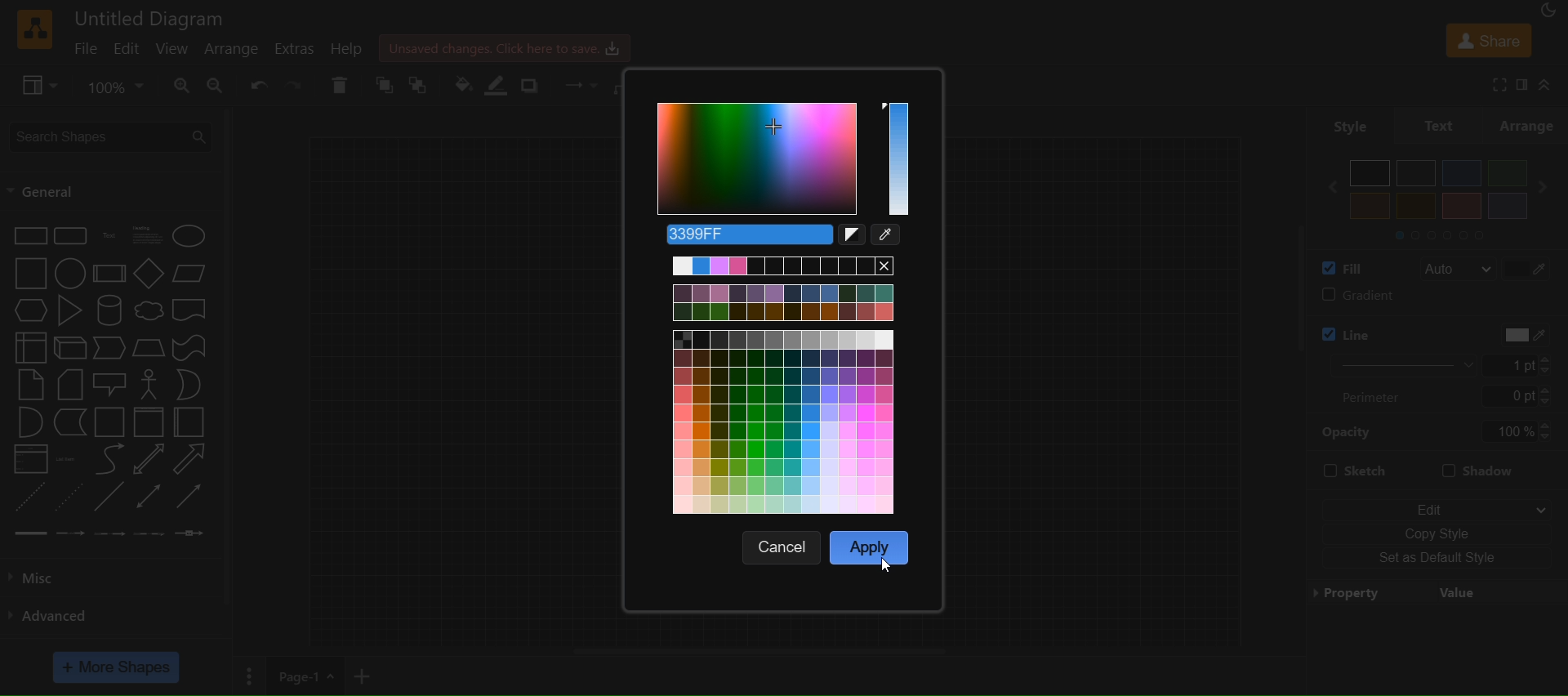  What do you see at coordinates (42, 86) in the screenshot?
I see `view` at bounding box center [42, 86].